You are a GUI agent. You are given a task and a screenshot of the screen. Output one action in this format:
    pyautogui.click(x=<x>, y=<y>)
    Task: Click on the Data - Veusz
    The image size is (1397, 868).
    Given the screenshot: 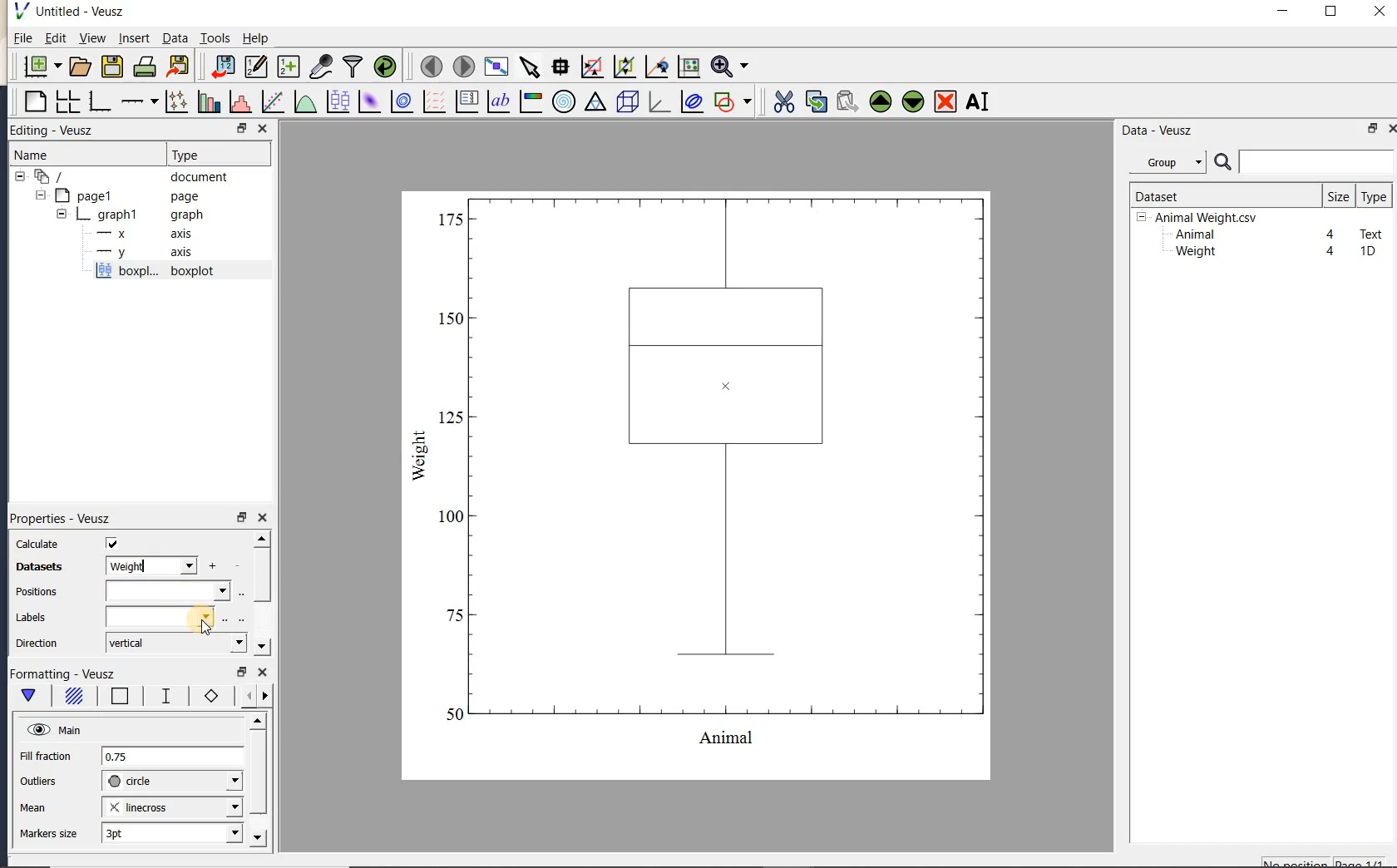 What is the action you would take?
    pyautogui.click(x=1172, y=163)
    